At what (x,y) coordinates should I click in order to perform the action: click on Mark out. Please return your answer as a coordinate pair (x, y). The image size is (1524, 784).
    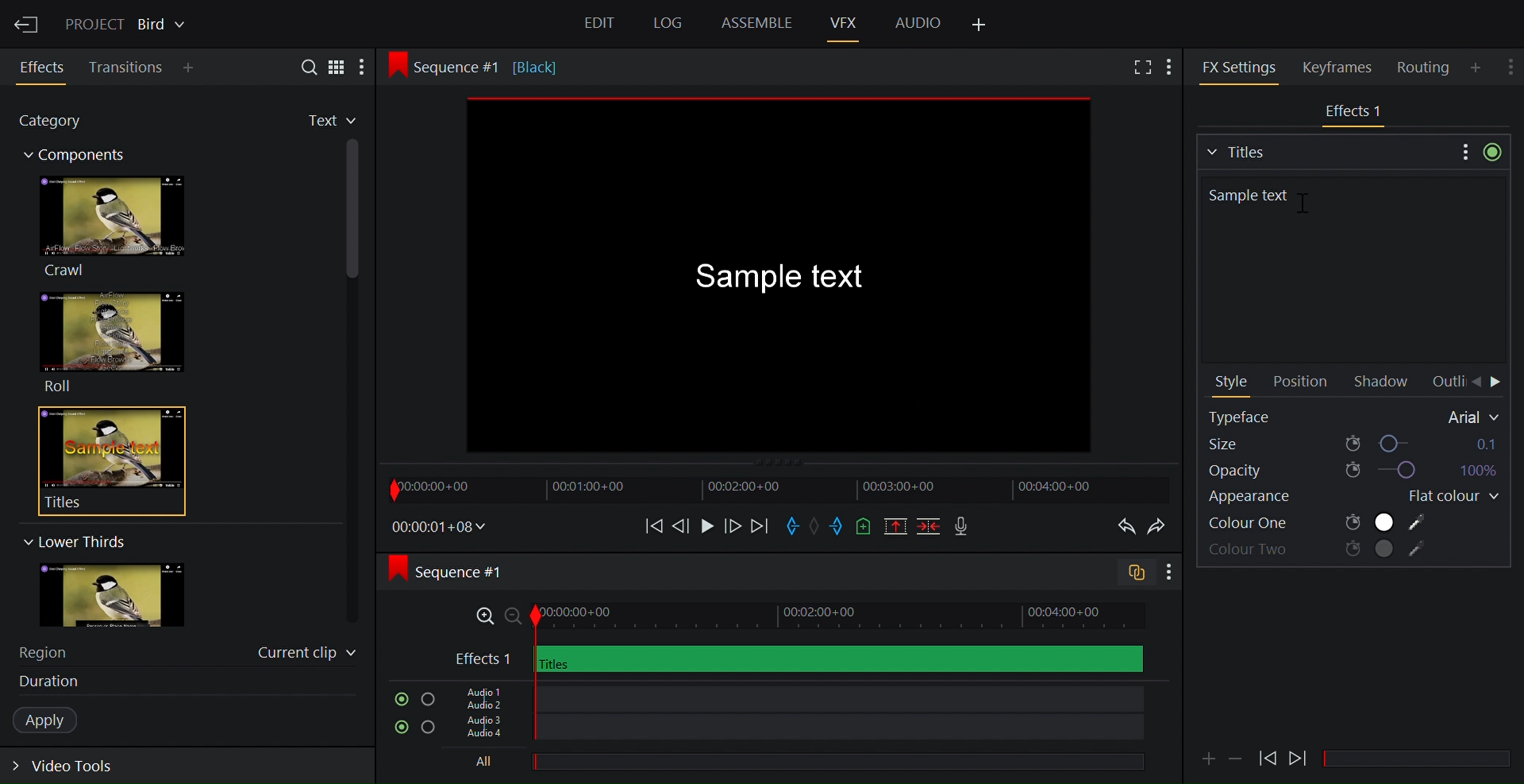
    Looking at the image, I should click on (837, 527).